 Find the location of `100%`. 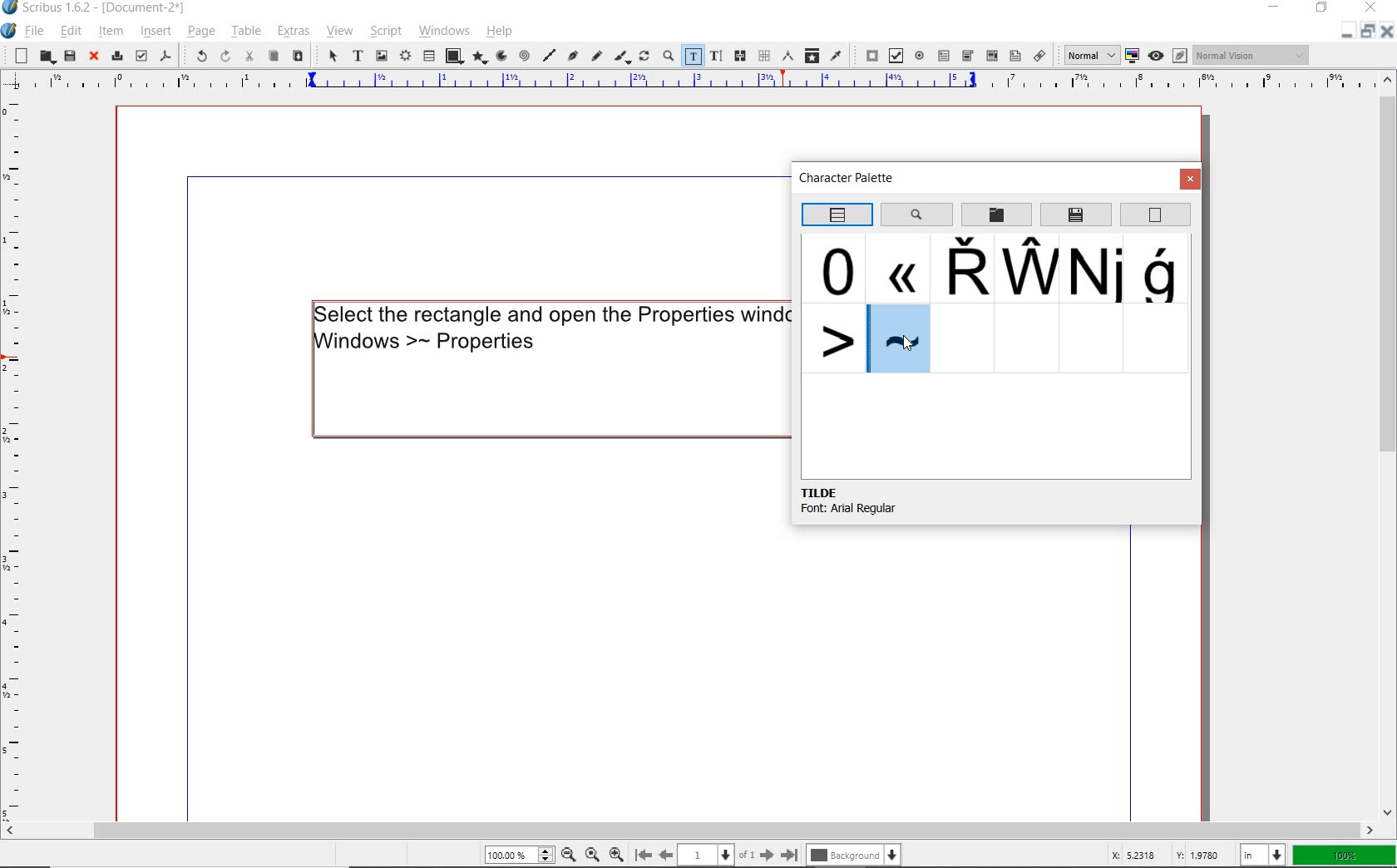

100% is located at coordinates (1345, 856).